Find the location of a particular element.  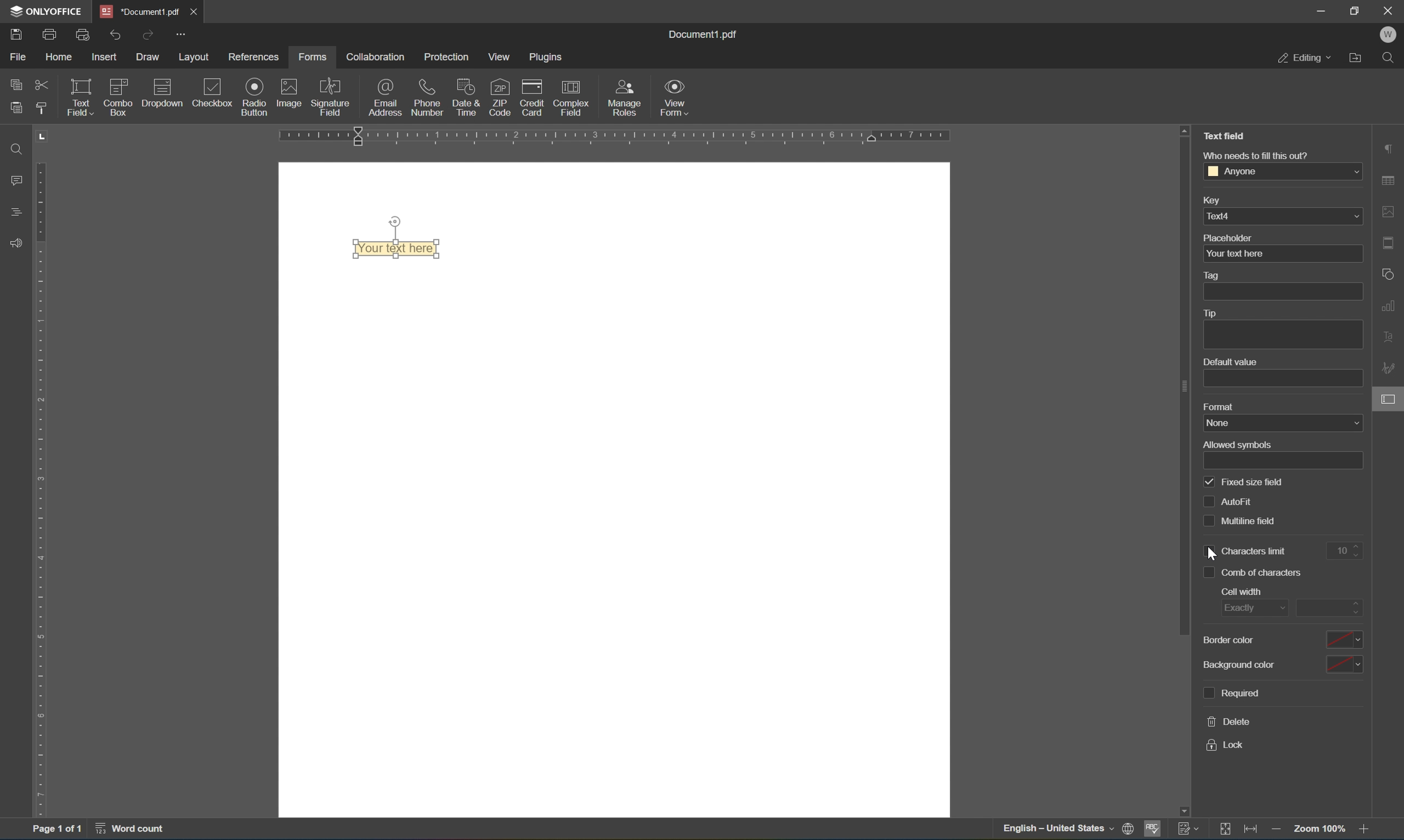

references is located at coordinates (254, 57).